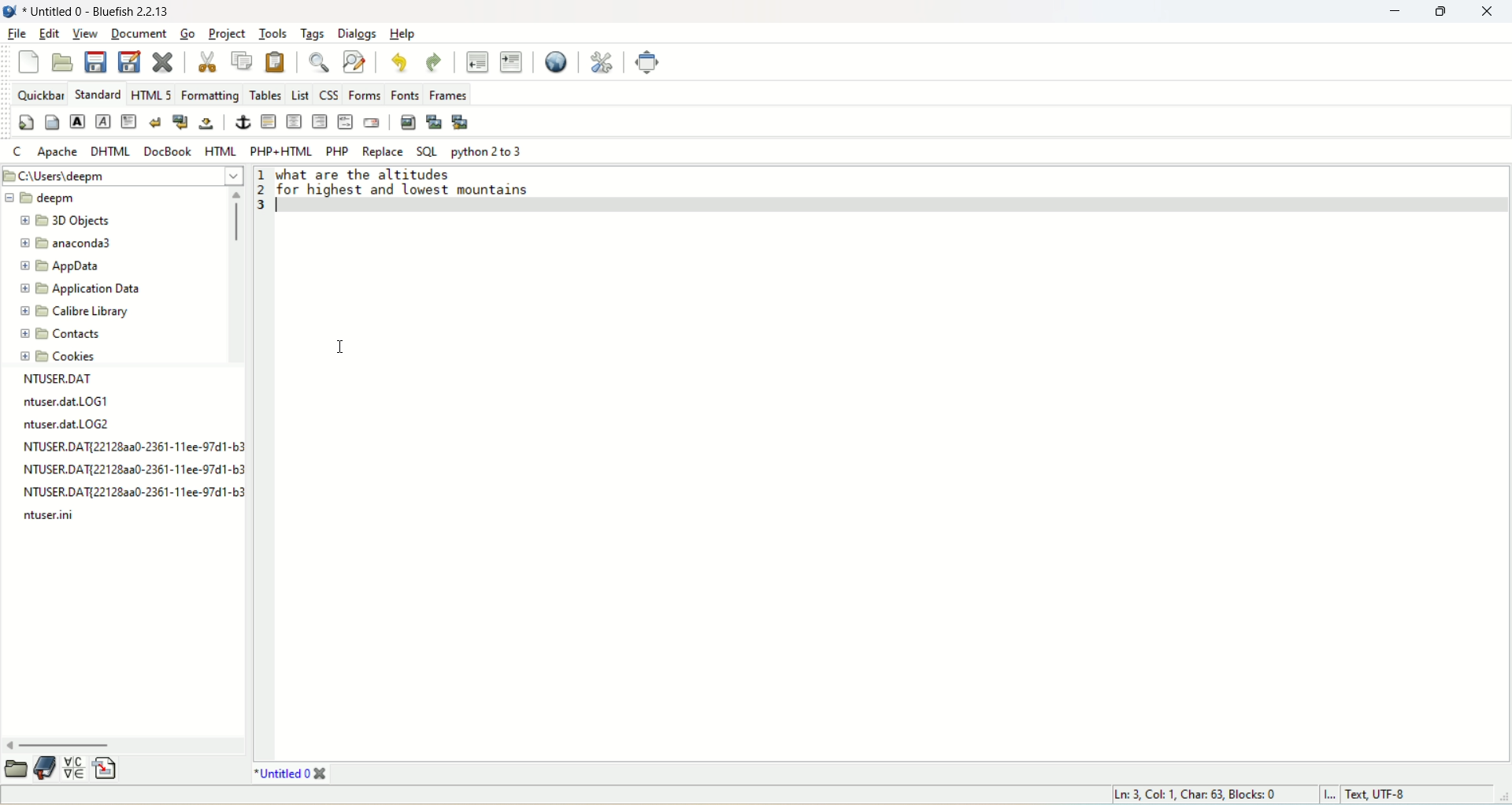  Describe the element at coordinates (113, 767) in the screenshot. I see `insert file` at that location.